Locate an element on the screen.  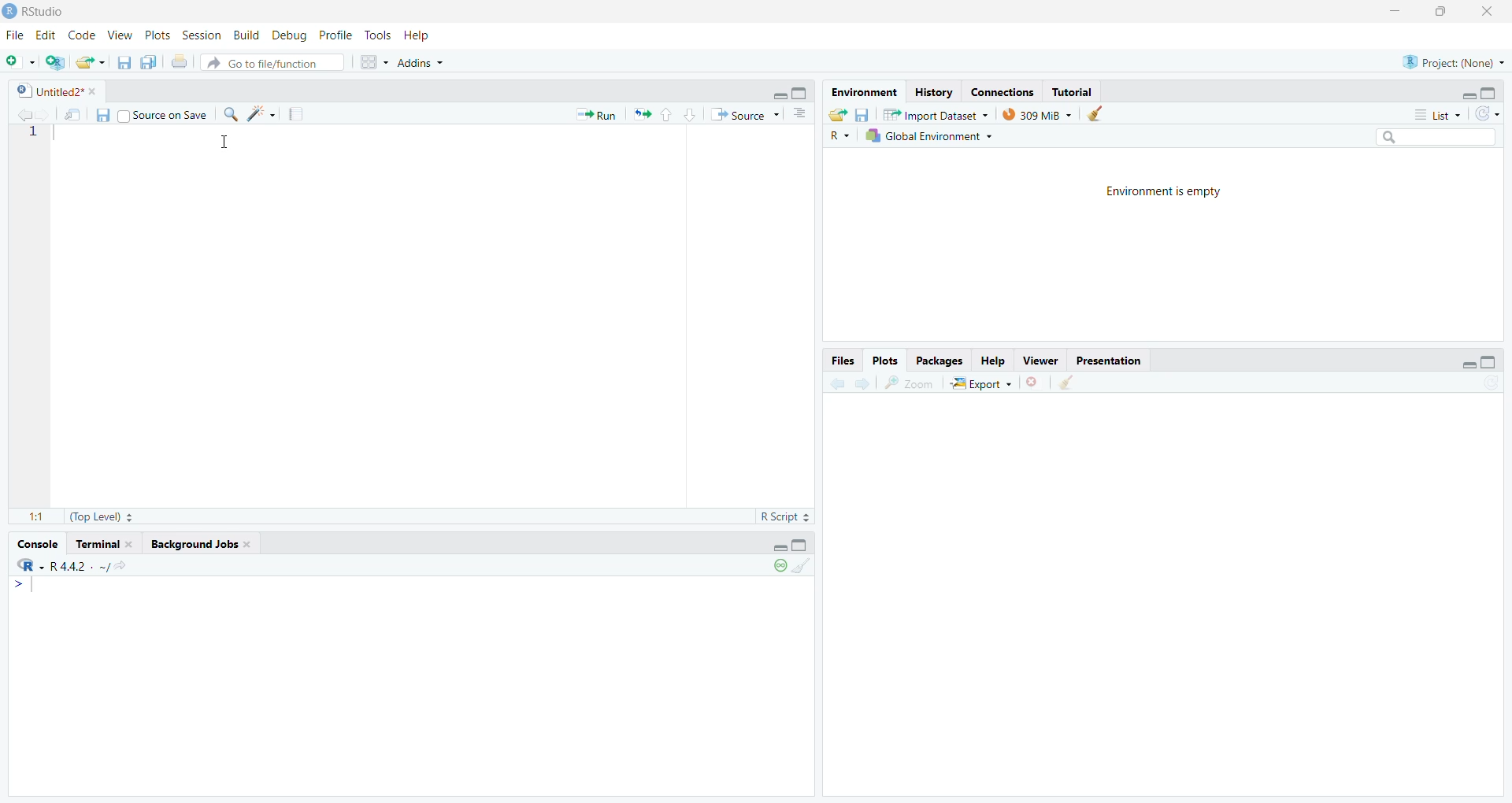
next is located at coordinates (865, 385).